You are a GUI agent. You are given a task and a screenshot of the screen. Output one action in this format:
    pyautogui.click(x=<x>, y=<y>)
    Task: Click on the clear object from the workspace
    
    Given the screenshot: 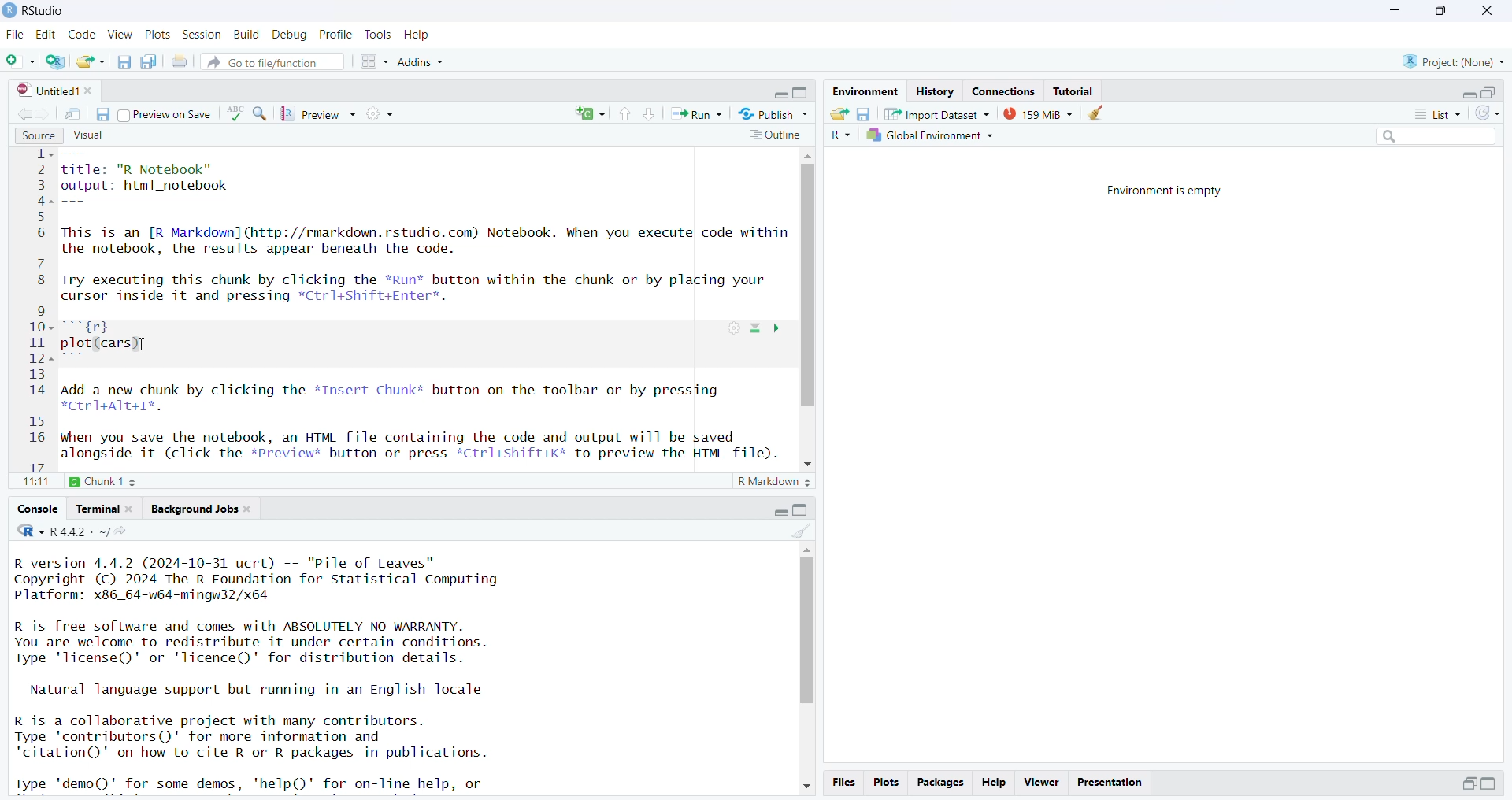 What is the action you would take?
    pyautogui.click(x=1099, y=113)
    